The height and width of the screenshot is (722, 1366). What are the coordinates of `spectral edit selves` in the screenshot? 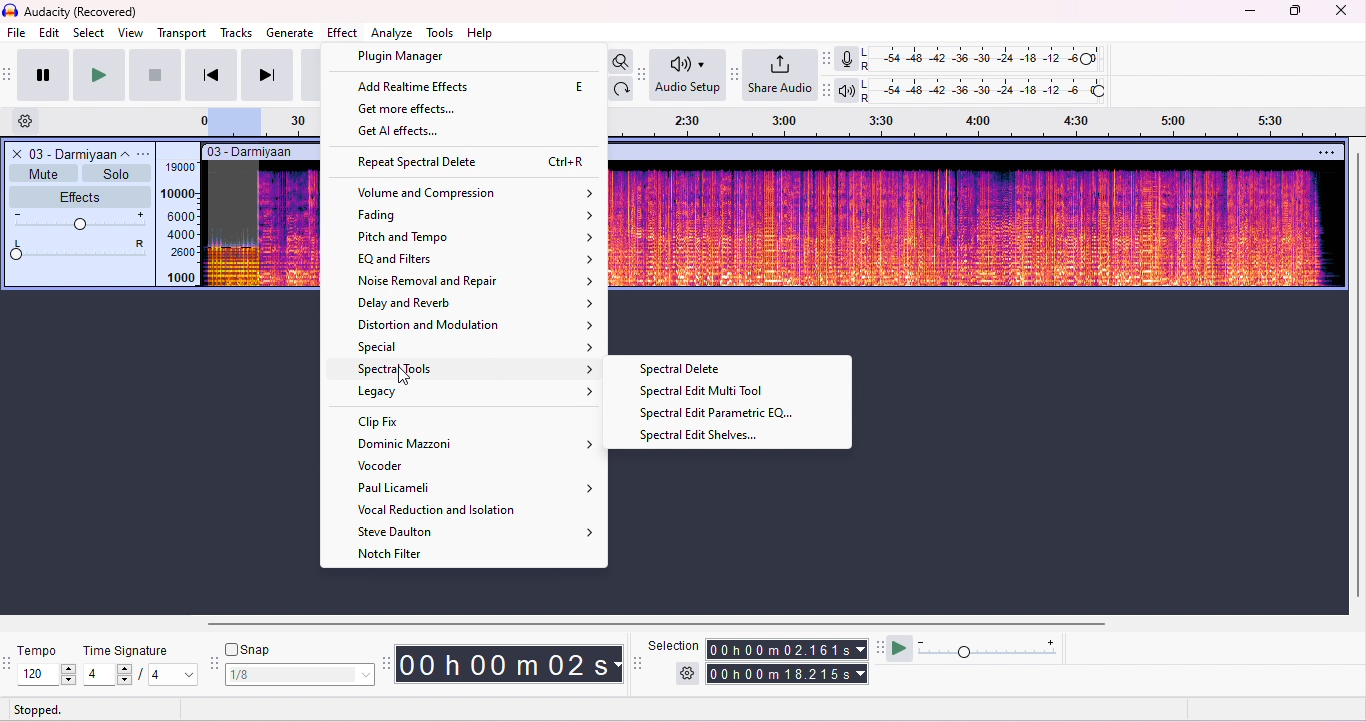 It's located at (705, 436).